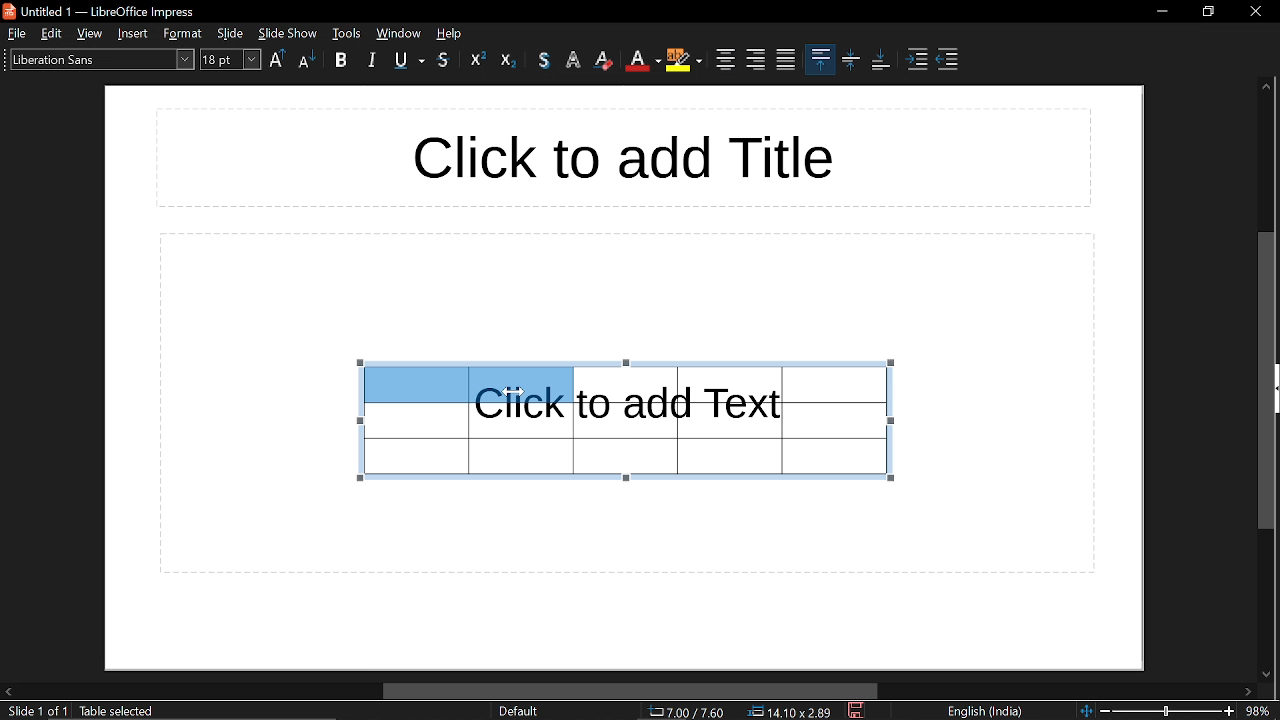 Image resolution: width=1280 pixels, height=720 pixels. I want to click on format, so click(183, 34).